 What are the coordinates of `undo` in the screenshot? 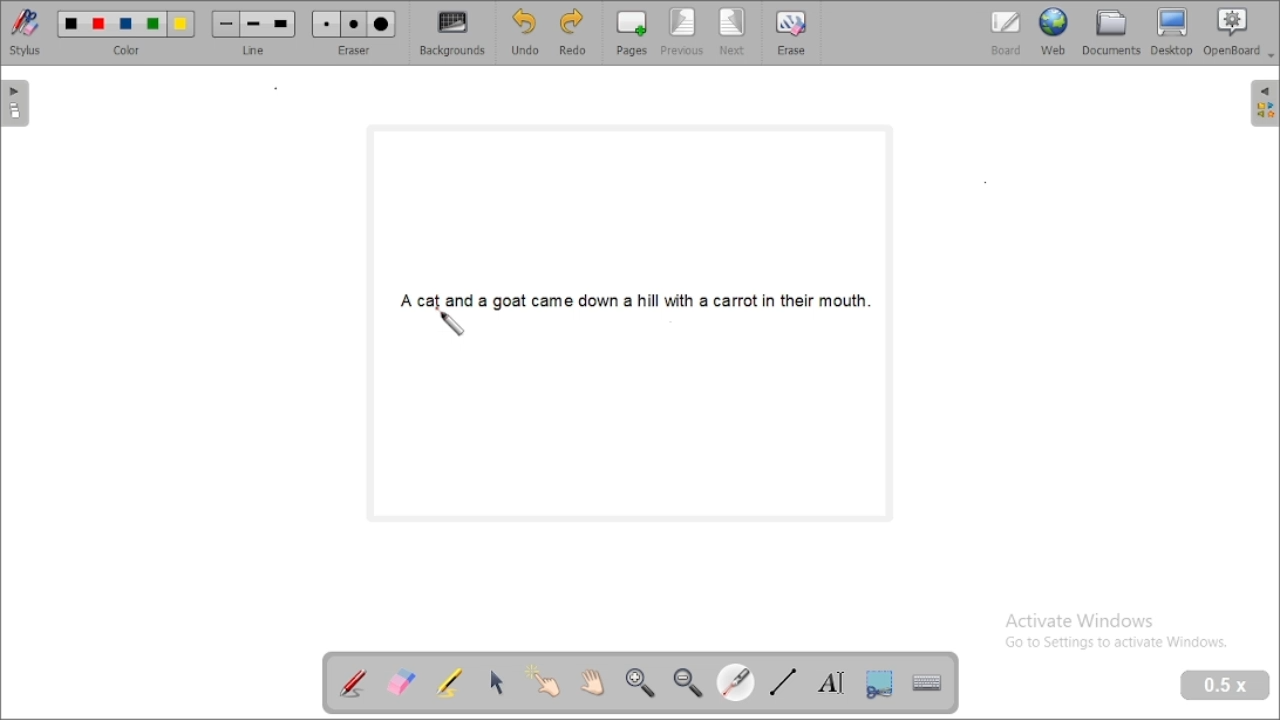 It's located at (525, 33).